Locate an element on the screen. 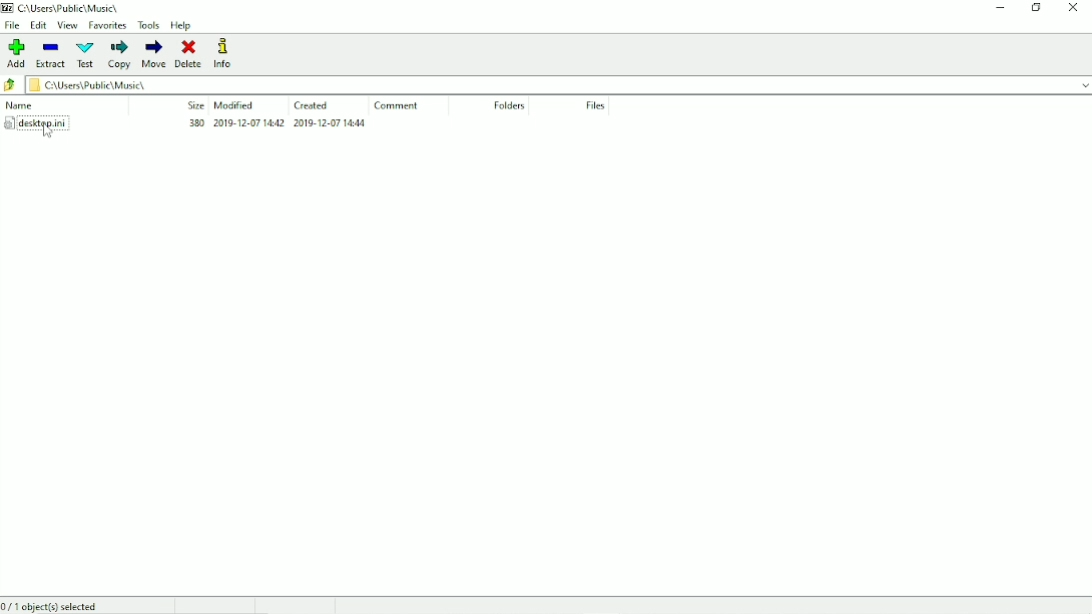 The width and height of the screenshot is (1092, 614). cursor is located at coordinates (47, 133).